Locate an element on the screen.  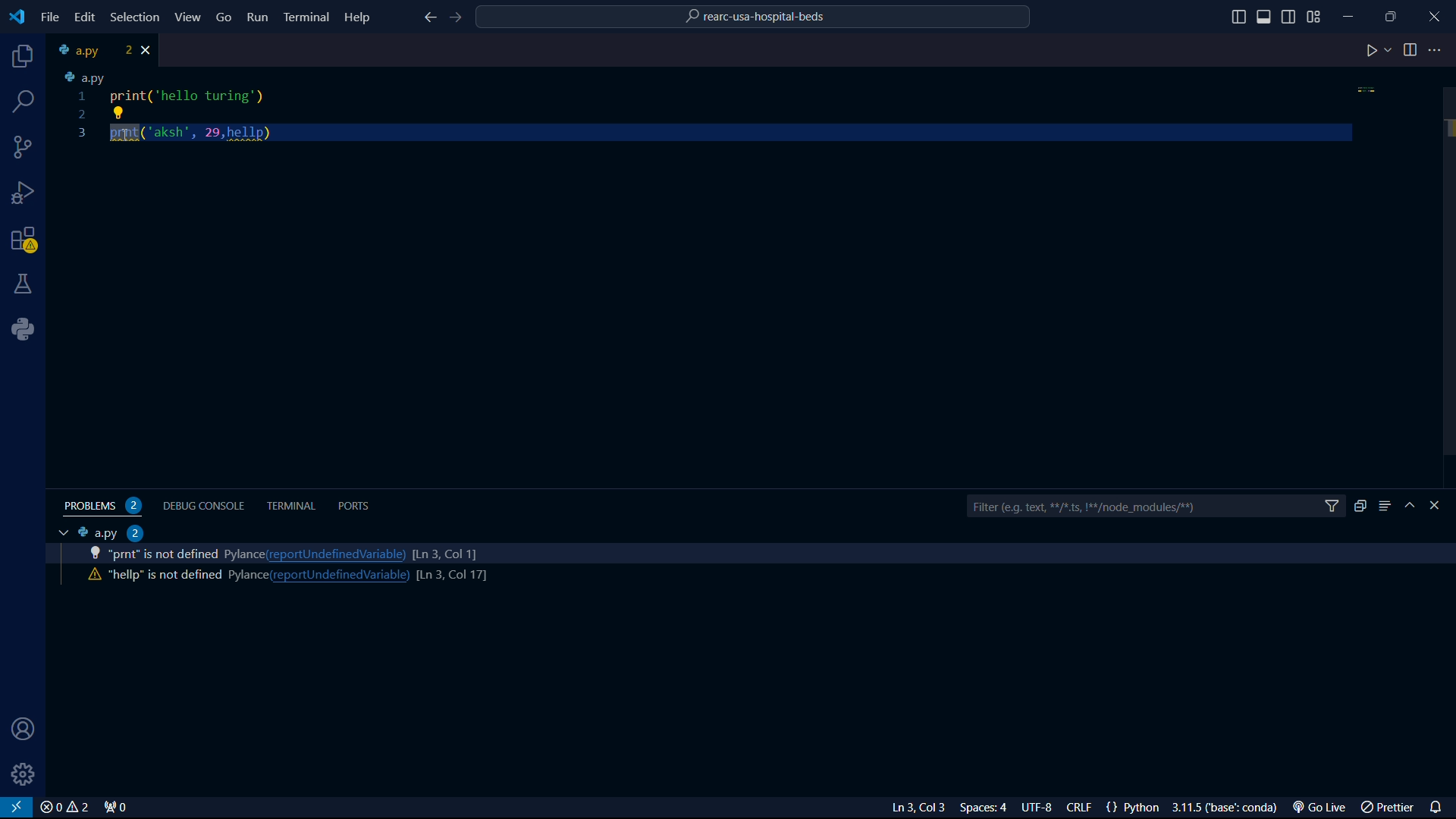
Run is located at coordinates (259, 20).